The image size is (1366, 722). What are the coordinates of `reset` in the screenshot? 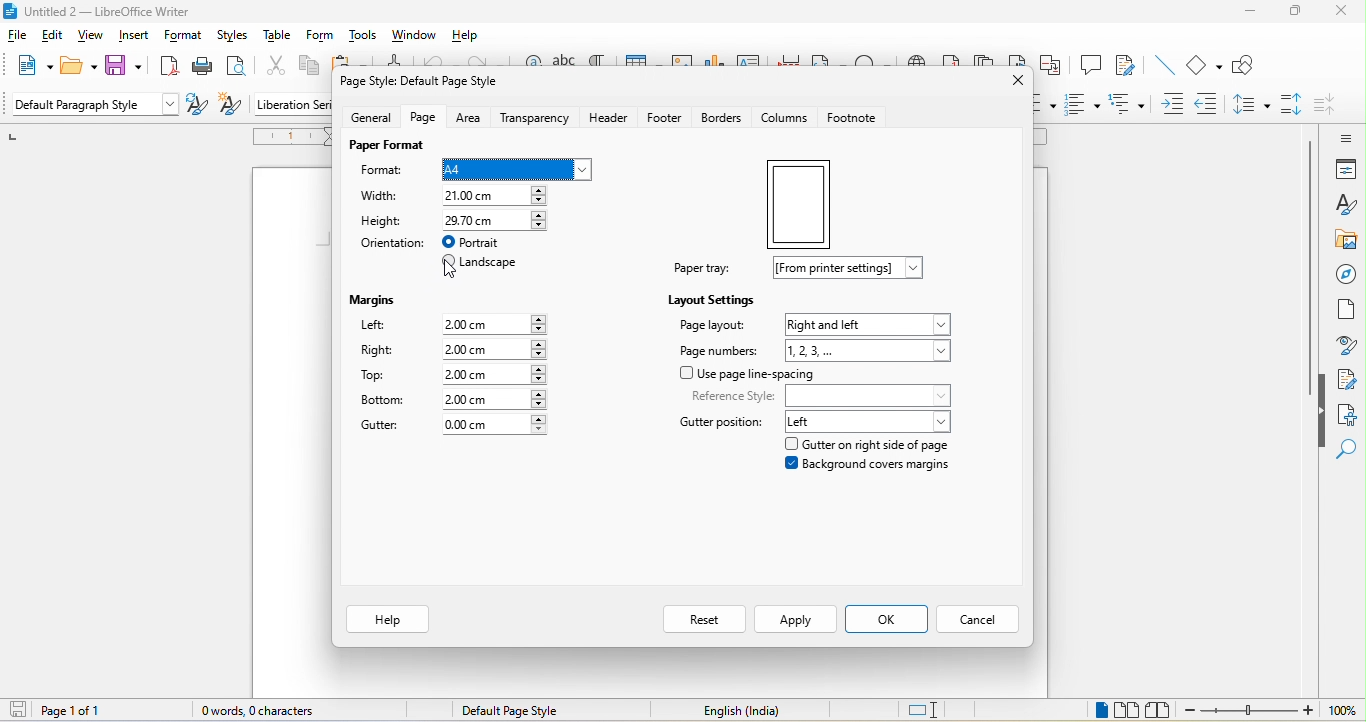 It's located at (700, 620).